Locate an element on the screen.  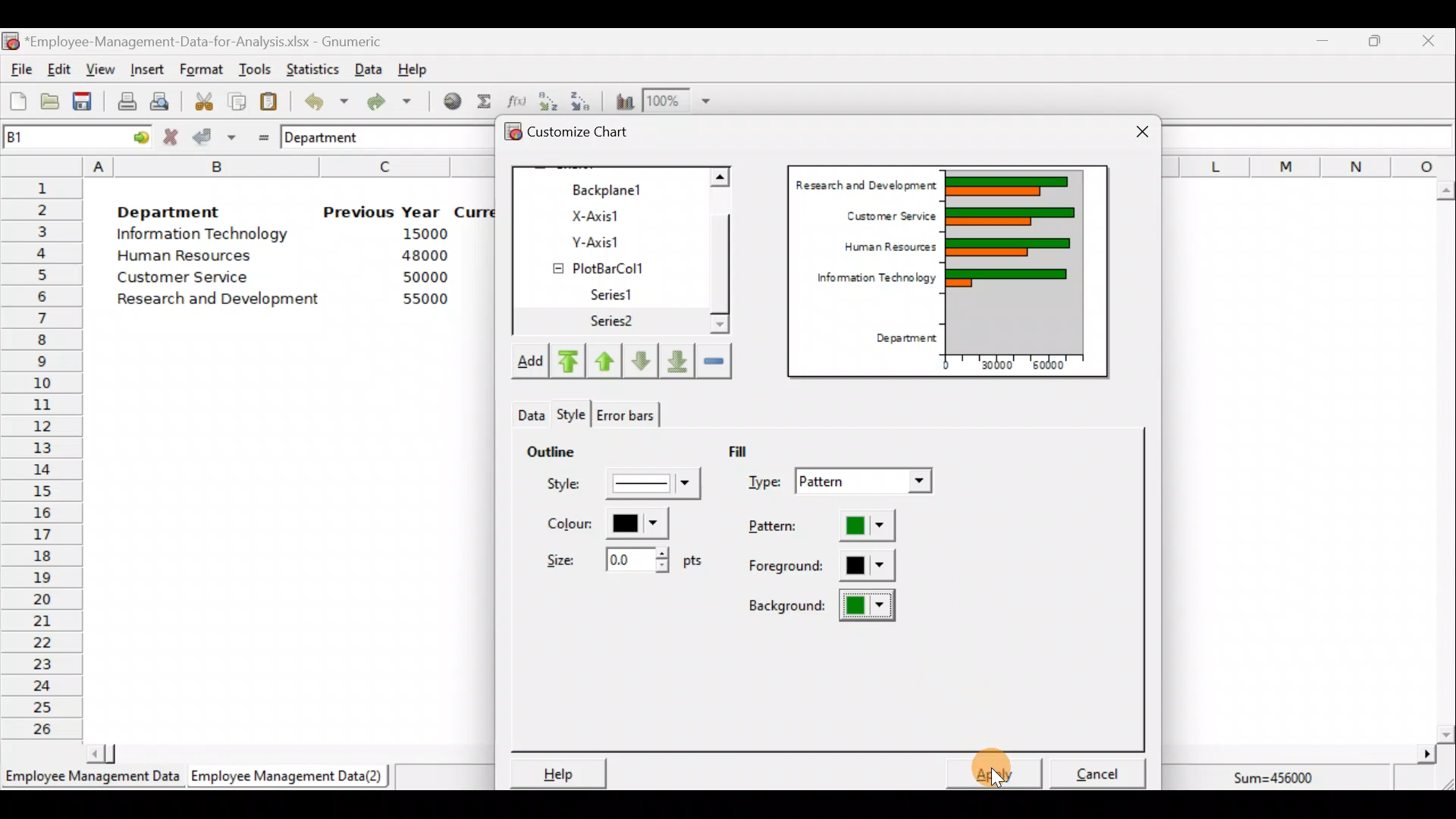
Apply is located at coordinates (1001, 772).